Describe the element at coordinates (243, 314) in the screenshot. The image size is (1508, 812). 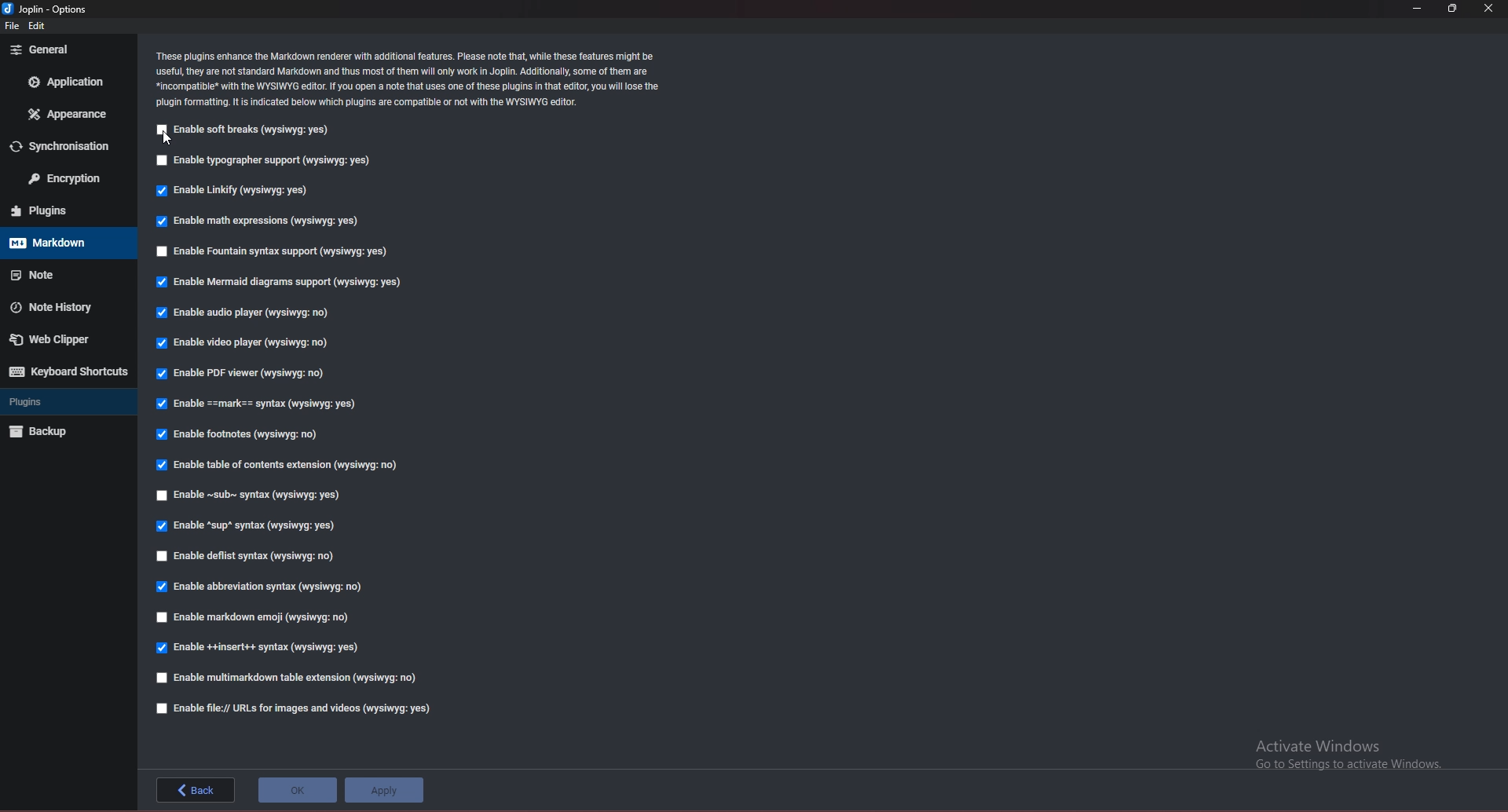
I see `enable audio player` at that location.